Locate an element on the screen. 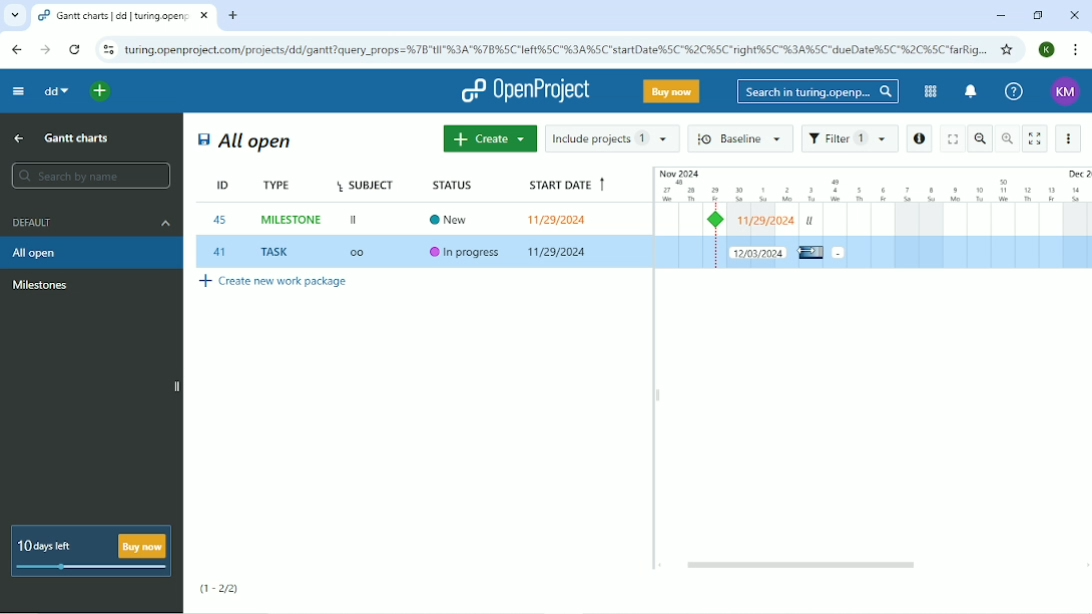 This screenshot has height=614, width=1092. Bookmark this tab is located at coordinates (1008, 49).